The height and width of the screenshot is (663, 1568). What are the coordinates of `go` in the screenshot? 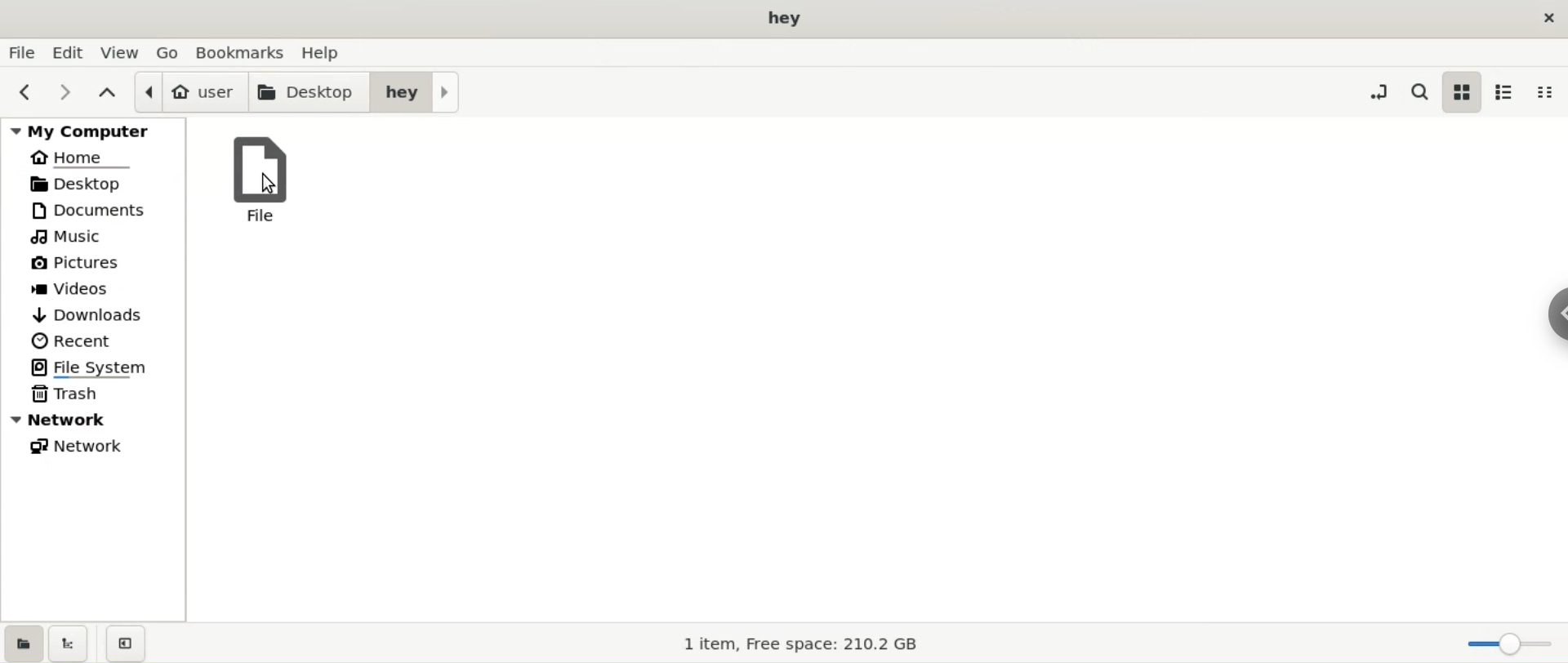 It's located at (167, 51).